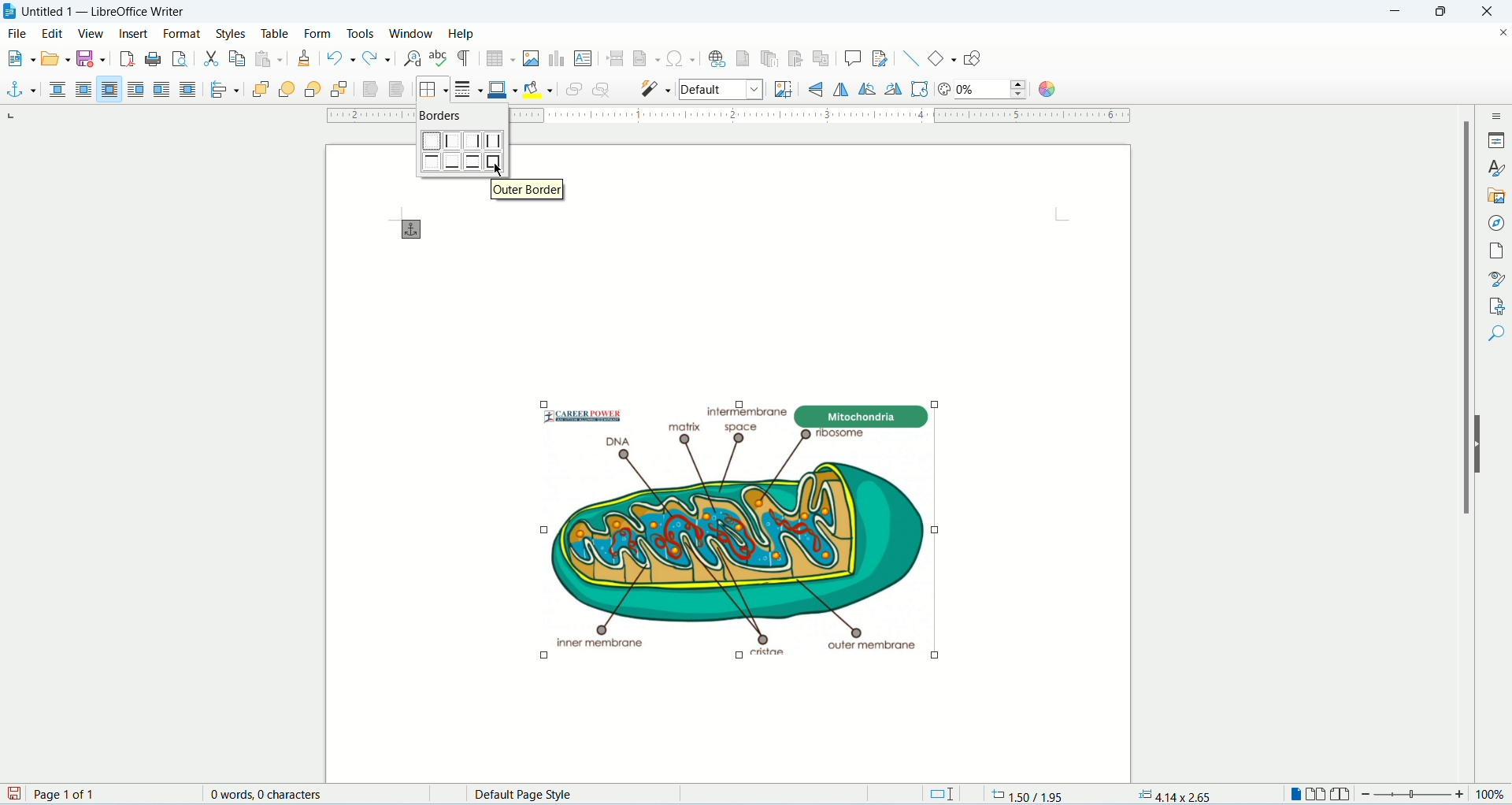 This screenshot has height=805, width=1512. Describe the element at coordinates (647, 58) in the screenshot. I see `insert field` at that location.